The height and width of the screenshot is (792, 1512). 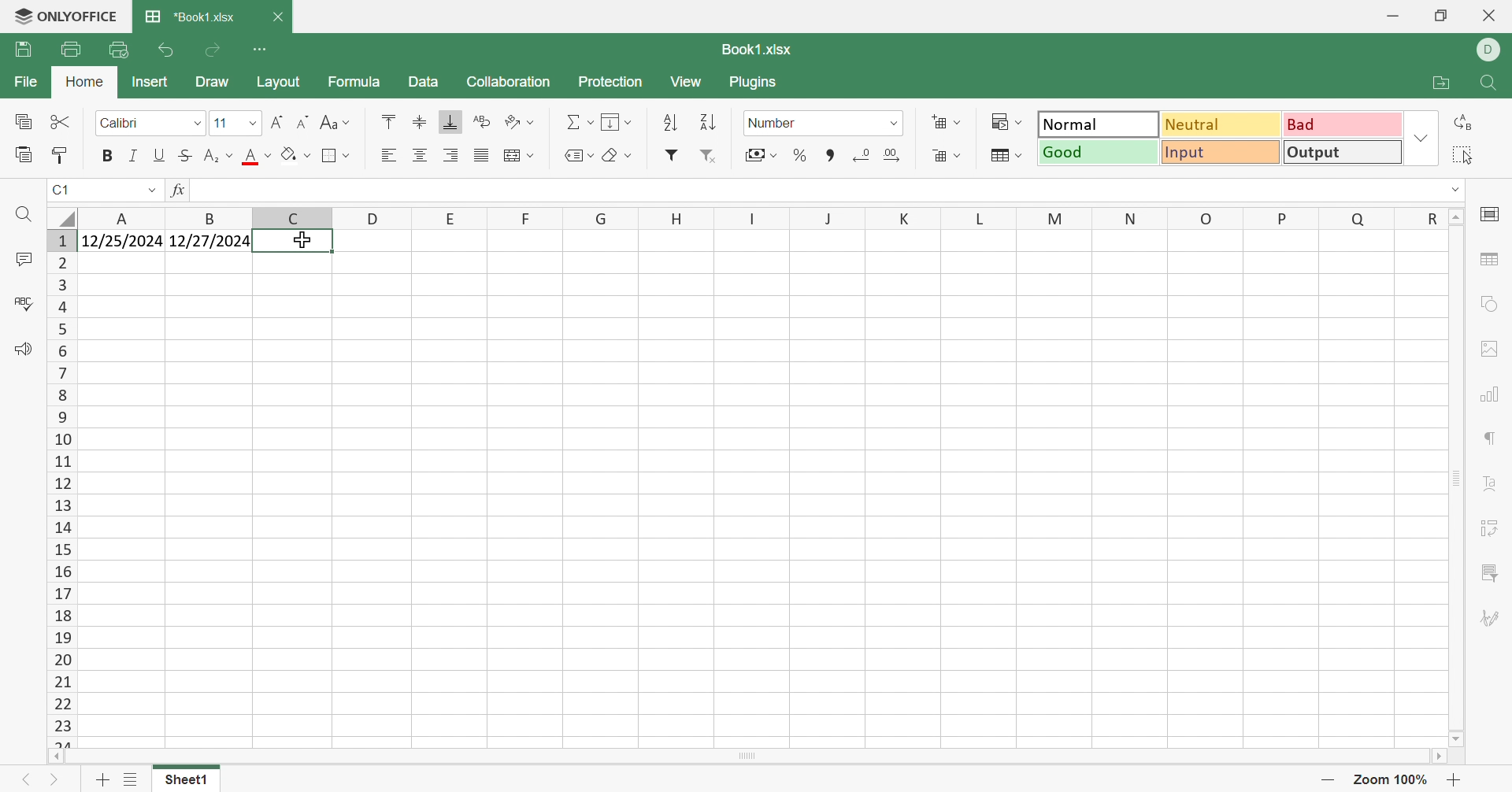 I want to click on 11, so click(x=220, y=123).